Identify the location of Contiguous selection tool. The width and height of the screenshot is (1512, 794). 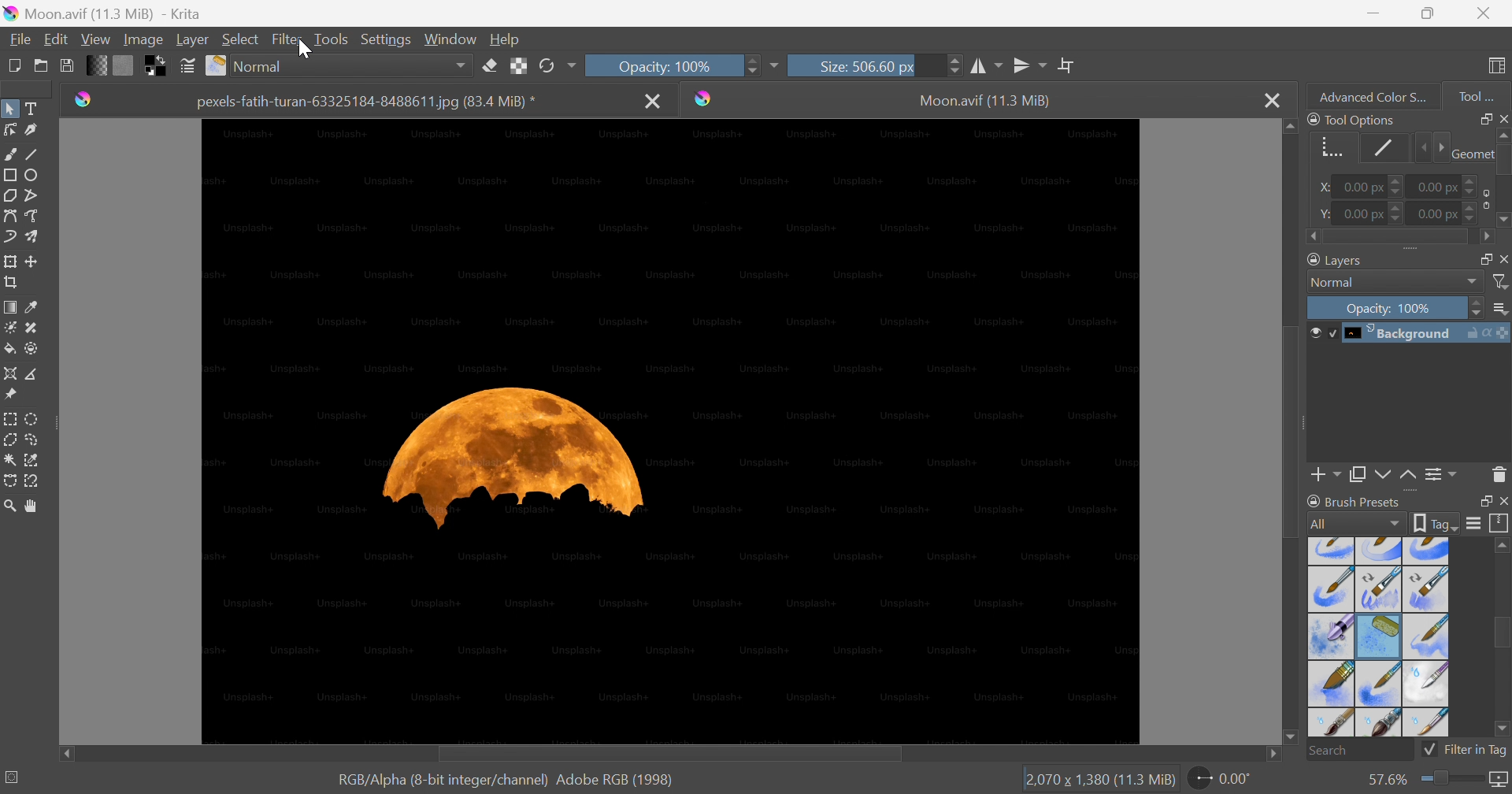
(10, 461).